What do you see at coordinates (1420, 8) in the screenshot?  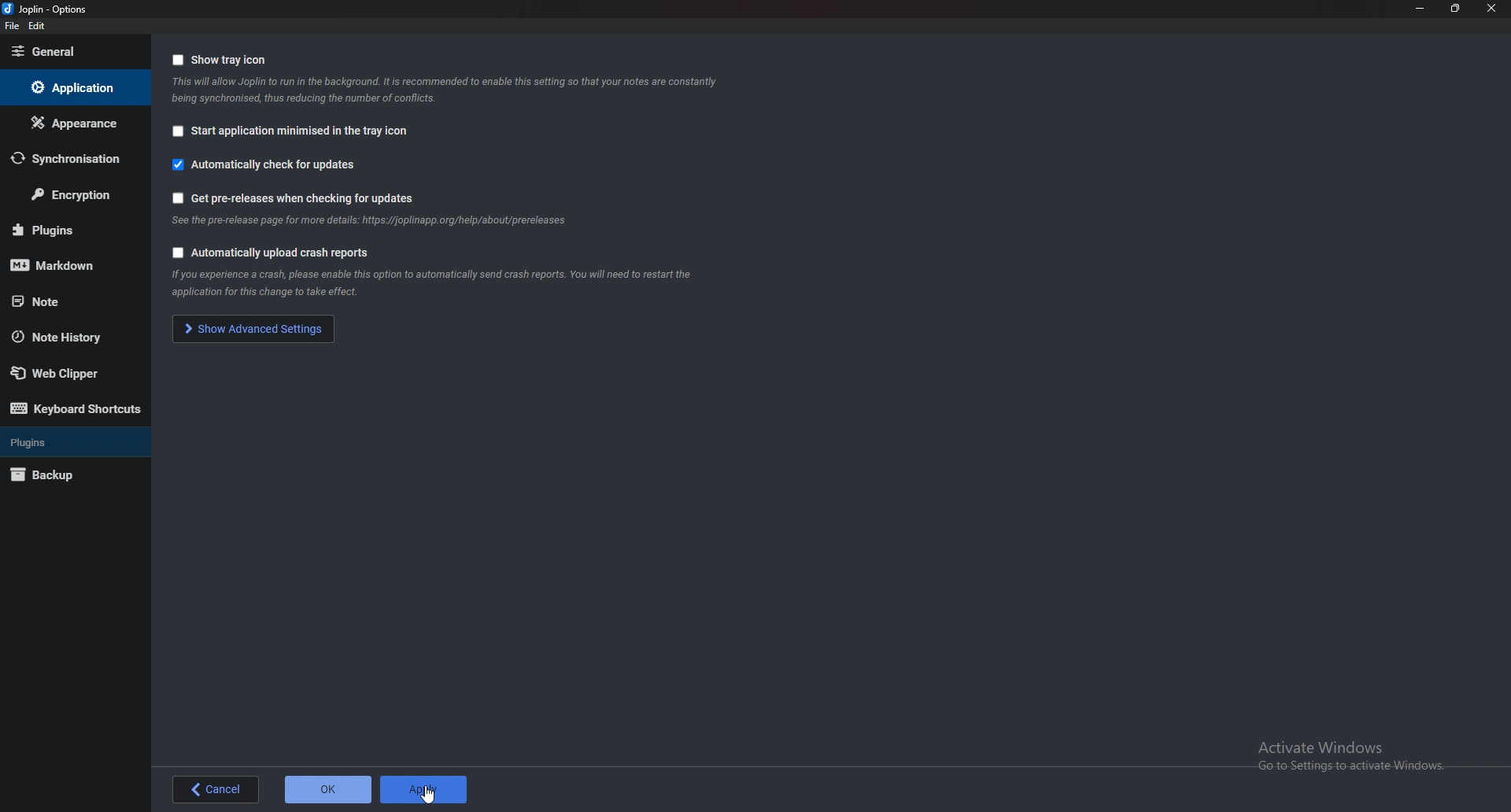 I see `Minimize` at bounding box center [1420, 8].